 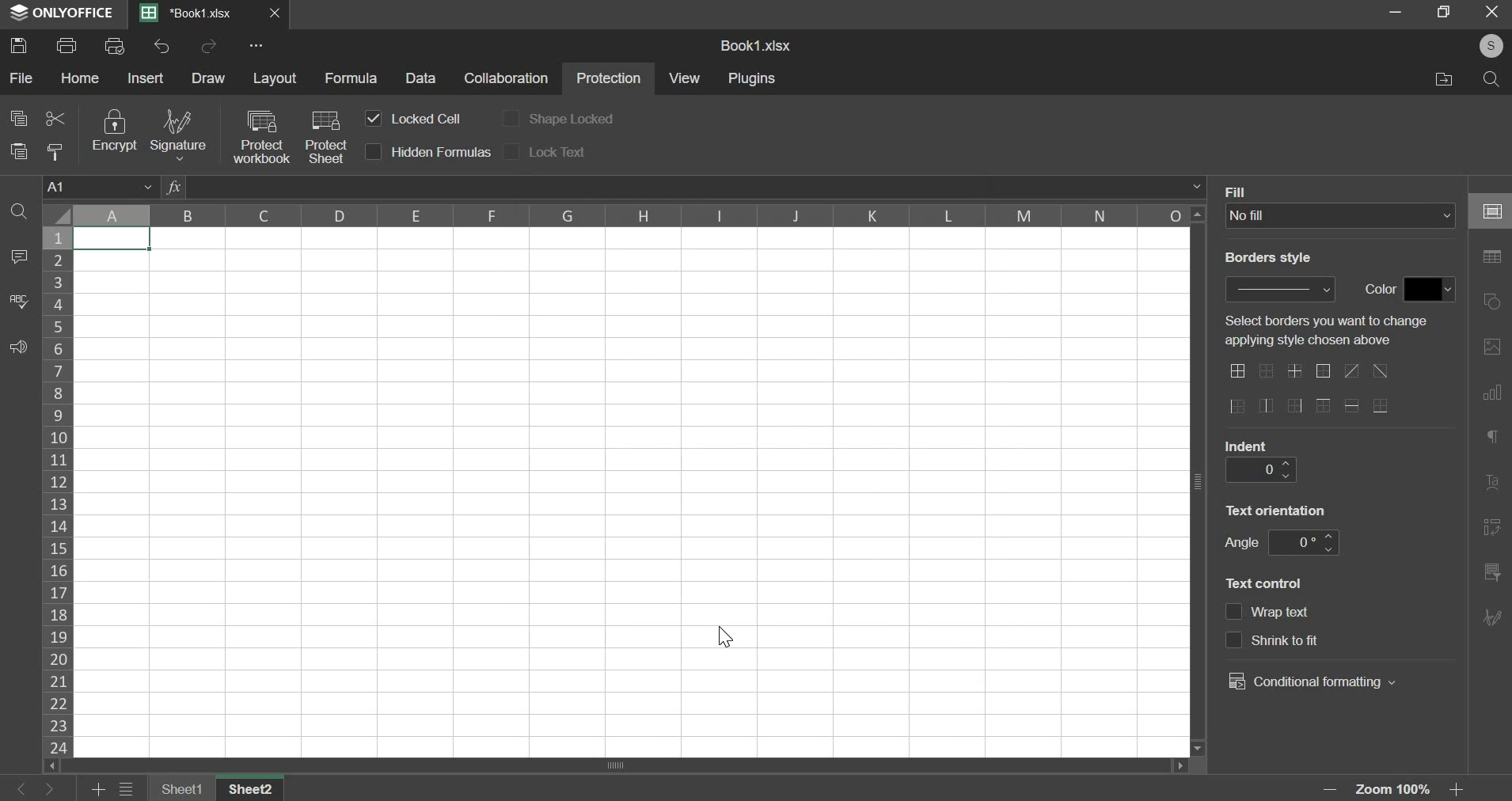 What do you see at coordinates (511, 117) in the screenshot?
I see `checkbox` at bounding box center [511, 117].